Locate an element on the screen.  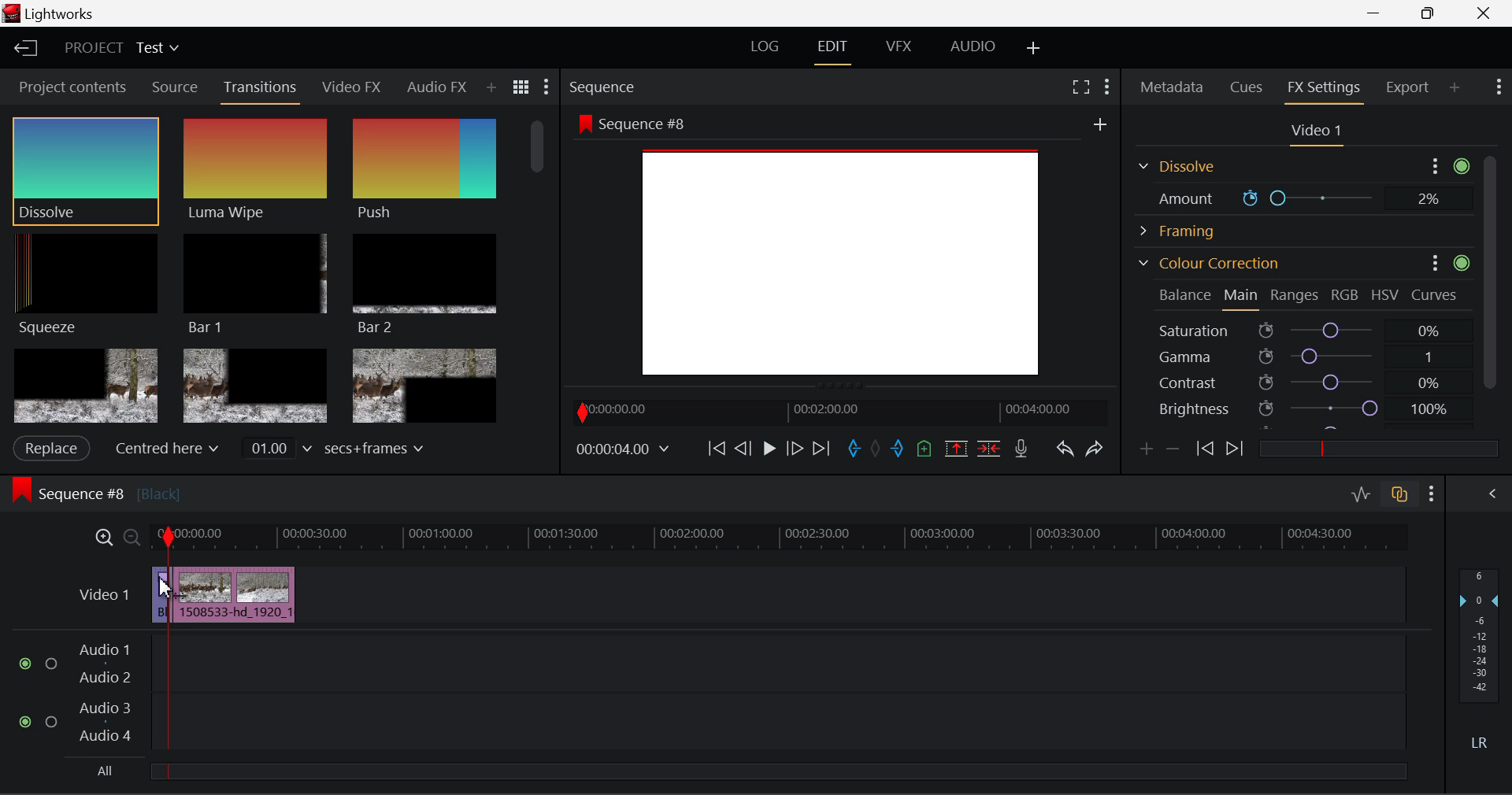
Audio FX is located at coordinates (432, 87).